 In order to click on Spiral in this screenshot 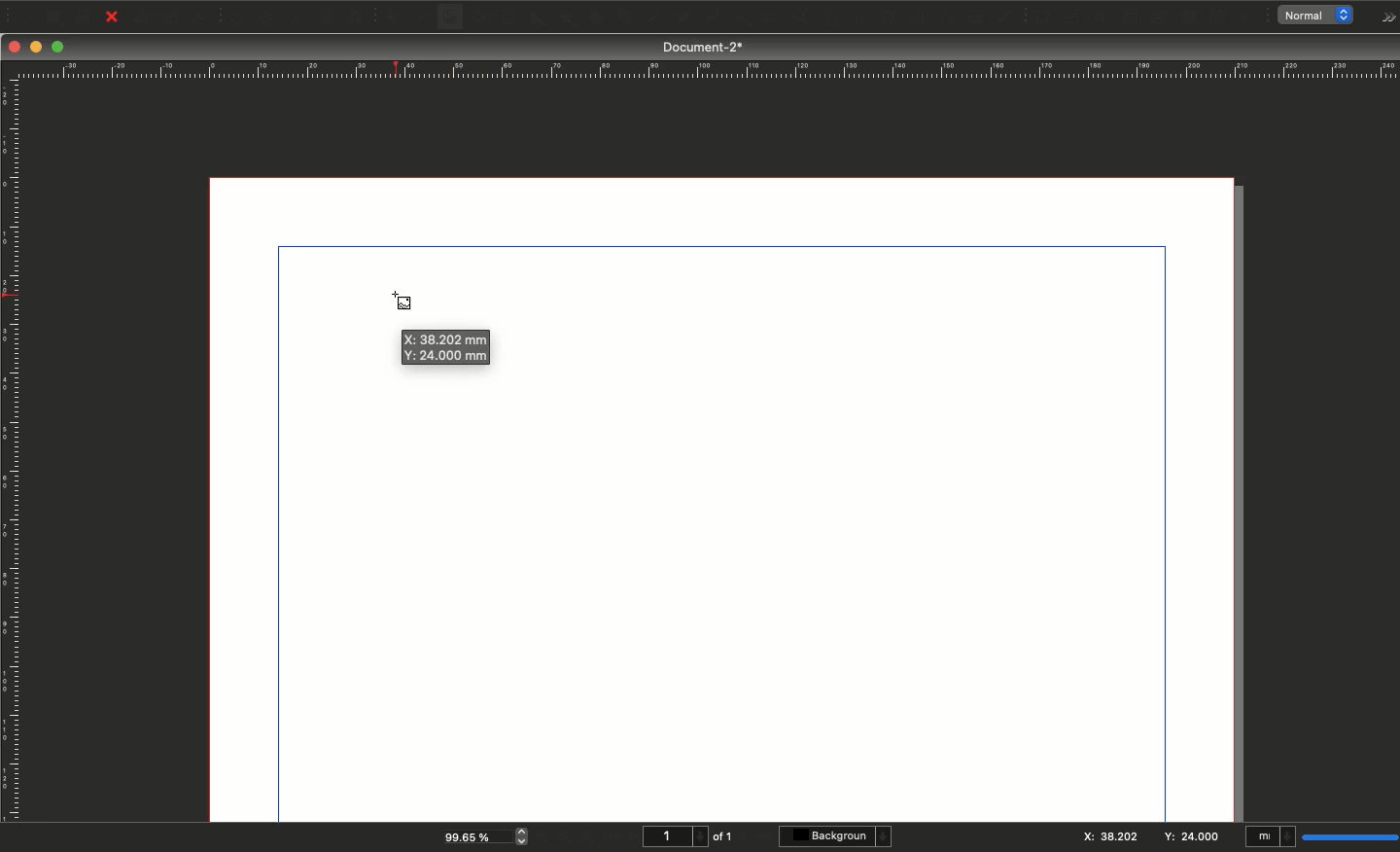, I will do `click(628, 19)`.